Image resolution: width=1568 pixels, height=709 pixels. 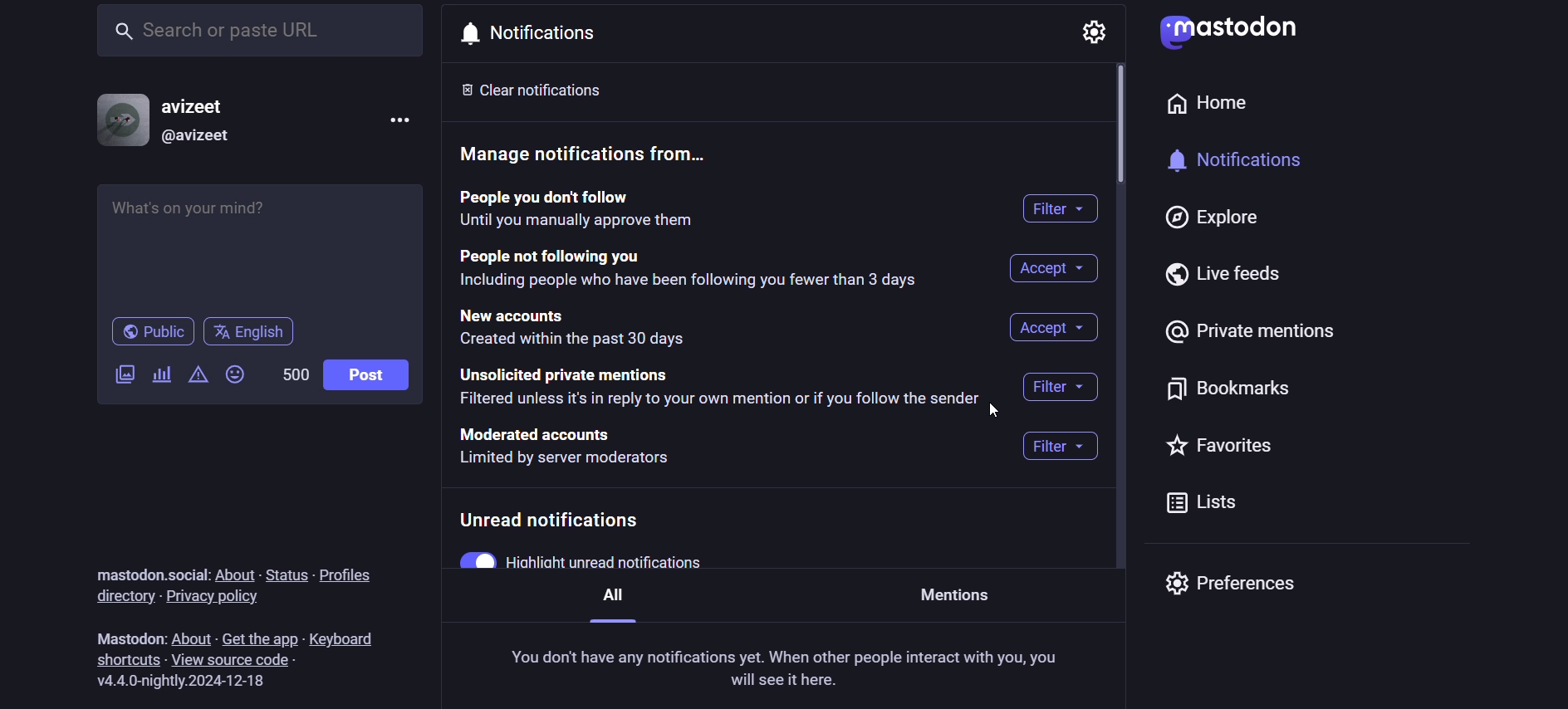 I want to click on privacy policy, so click(x=230, y=599).